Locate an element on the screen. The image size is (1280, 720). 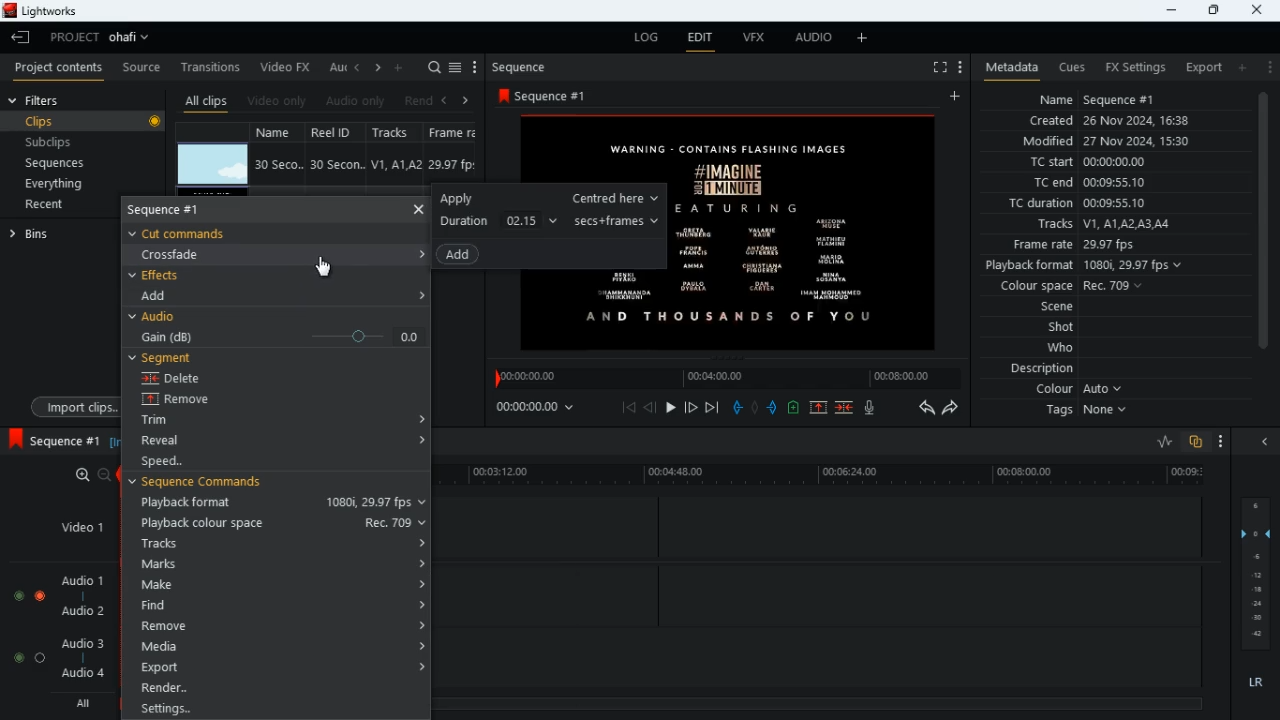
media is located at coordinates (282, 645).